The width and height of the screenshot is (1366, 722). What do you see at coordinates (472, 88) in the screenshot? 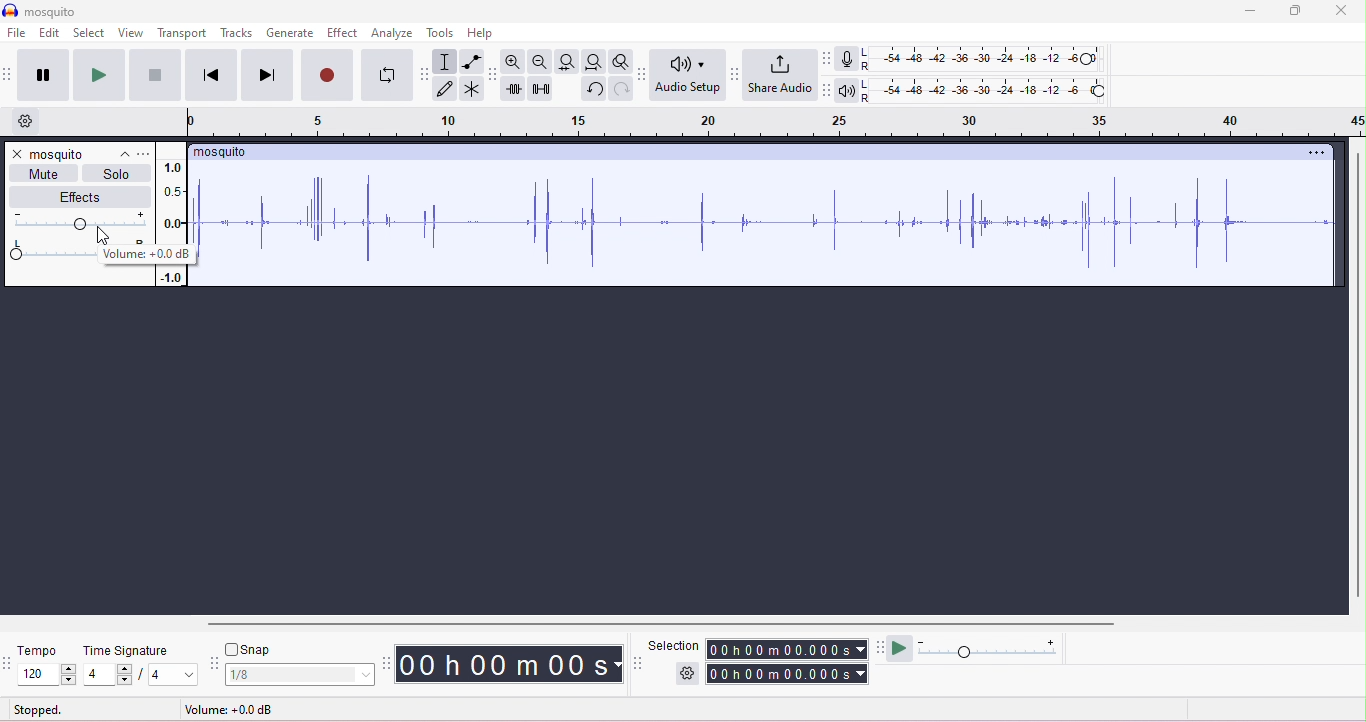
I see `multi` at bounding box center [472, 88].